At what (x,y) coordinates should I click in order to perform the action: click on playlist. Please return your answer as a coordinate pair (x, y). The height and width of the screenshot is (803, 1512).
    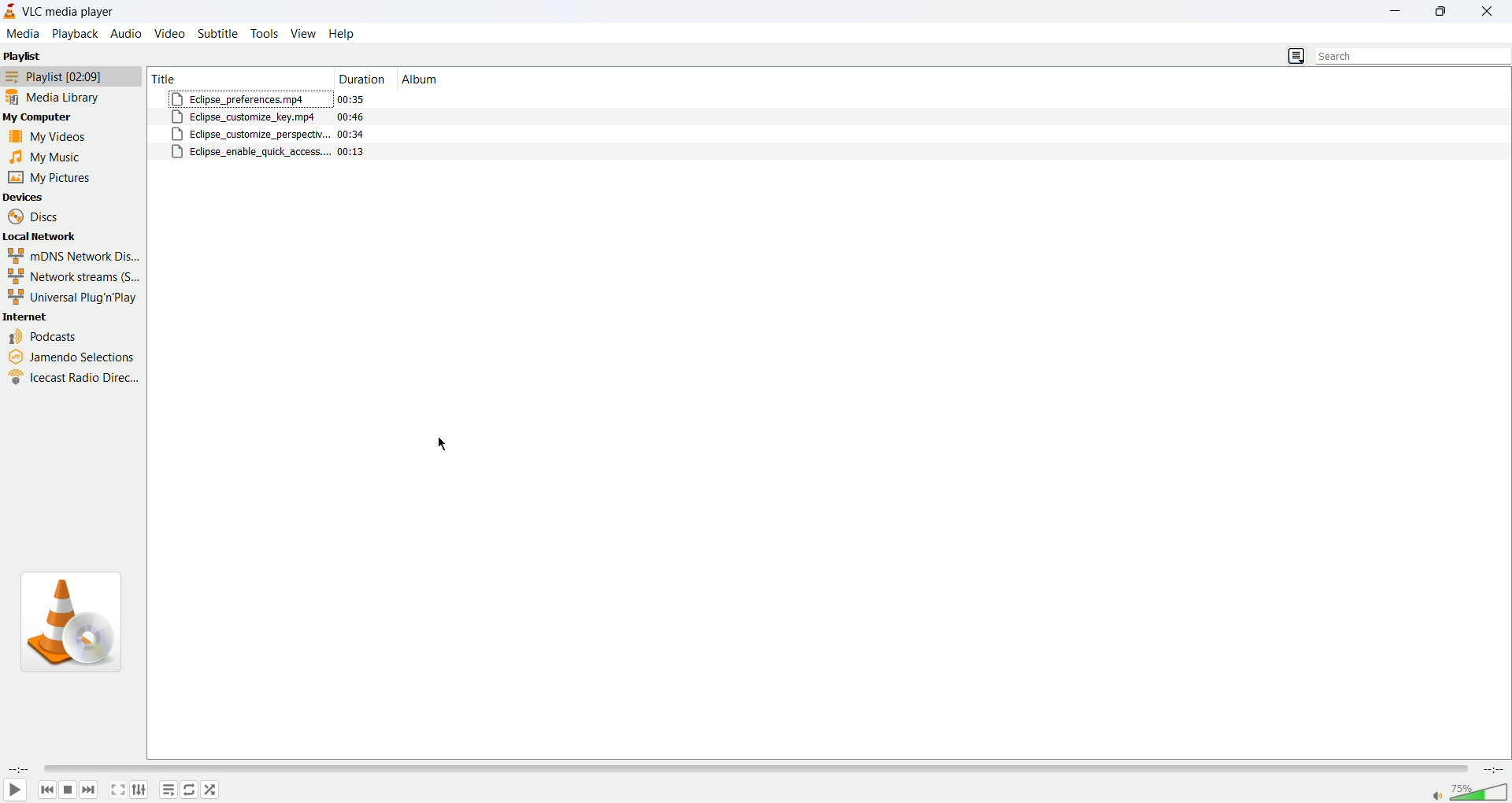
    Looking at the image, I should click on (168, 790).